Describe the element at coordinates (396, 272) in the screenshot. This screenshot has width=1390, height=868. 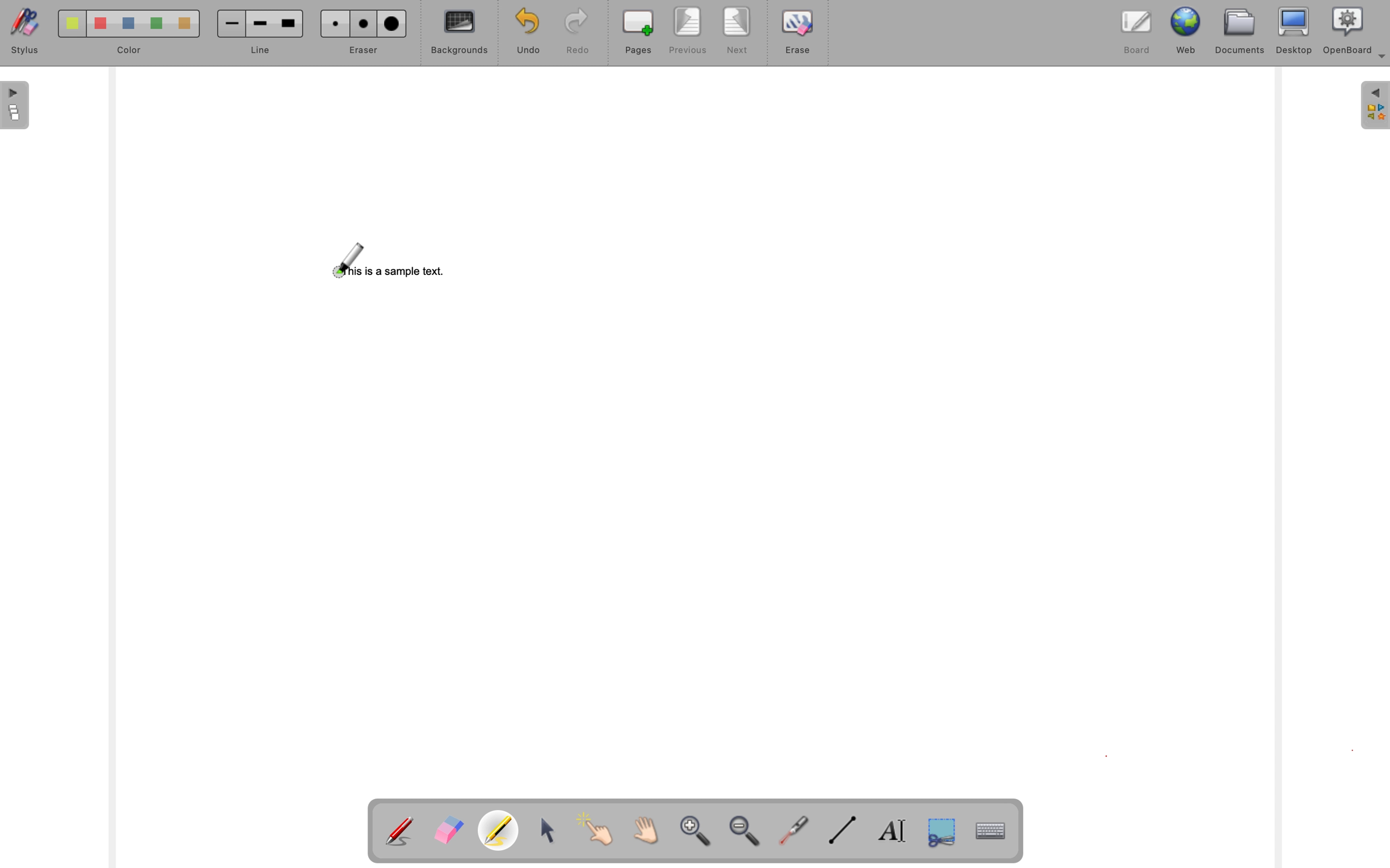
I see `This is a sample text.` at that location.